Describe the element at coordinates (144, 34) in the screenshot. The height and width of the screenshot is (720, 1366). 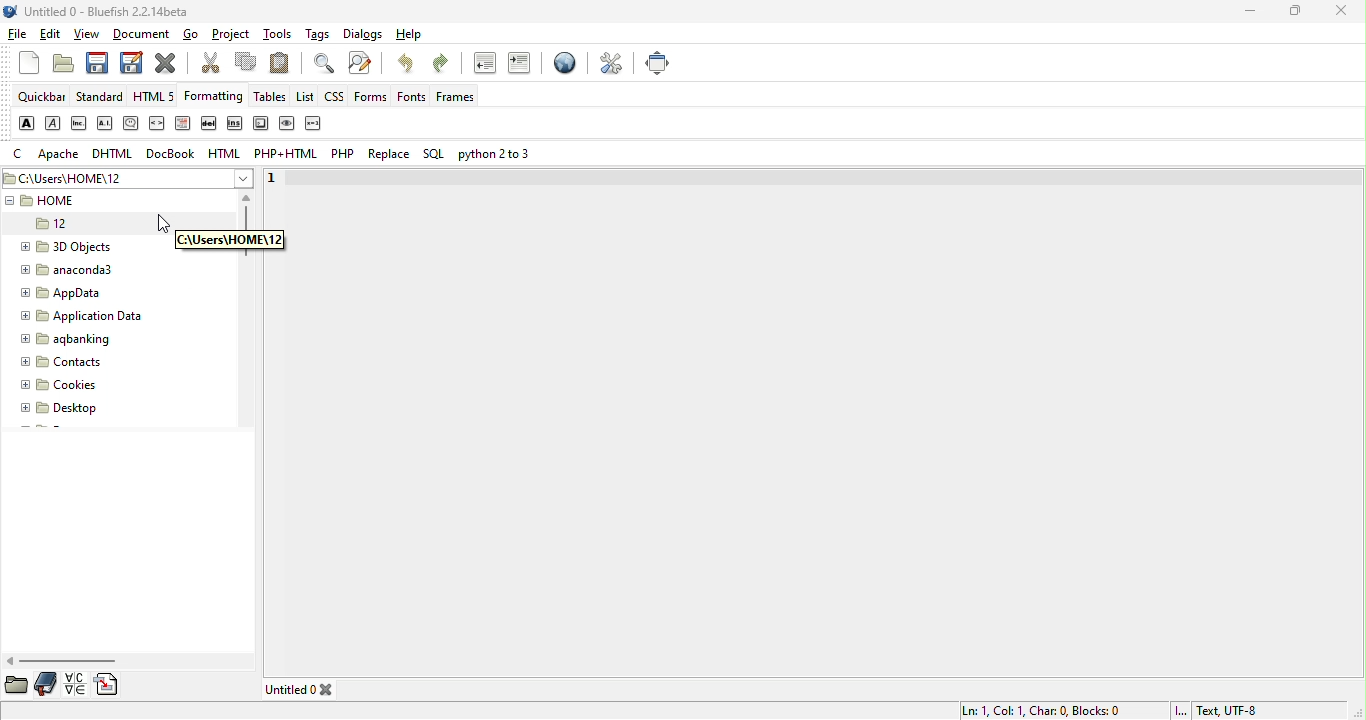
I see `document ` at that location.